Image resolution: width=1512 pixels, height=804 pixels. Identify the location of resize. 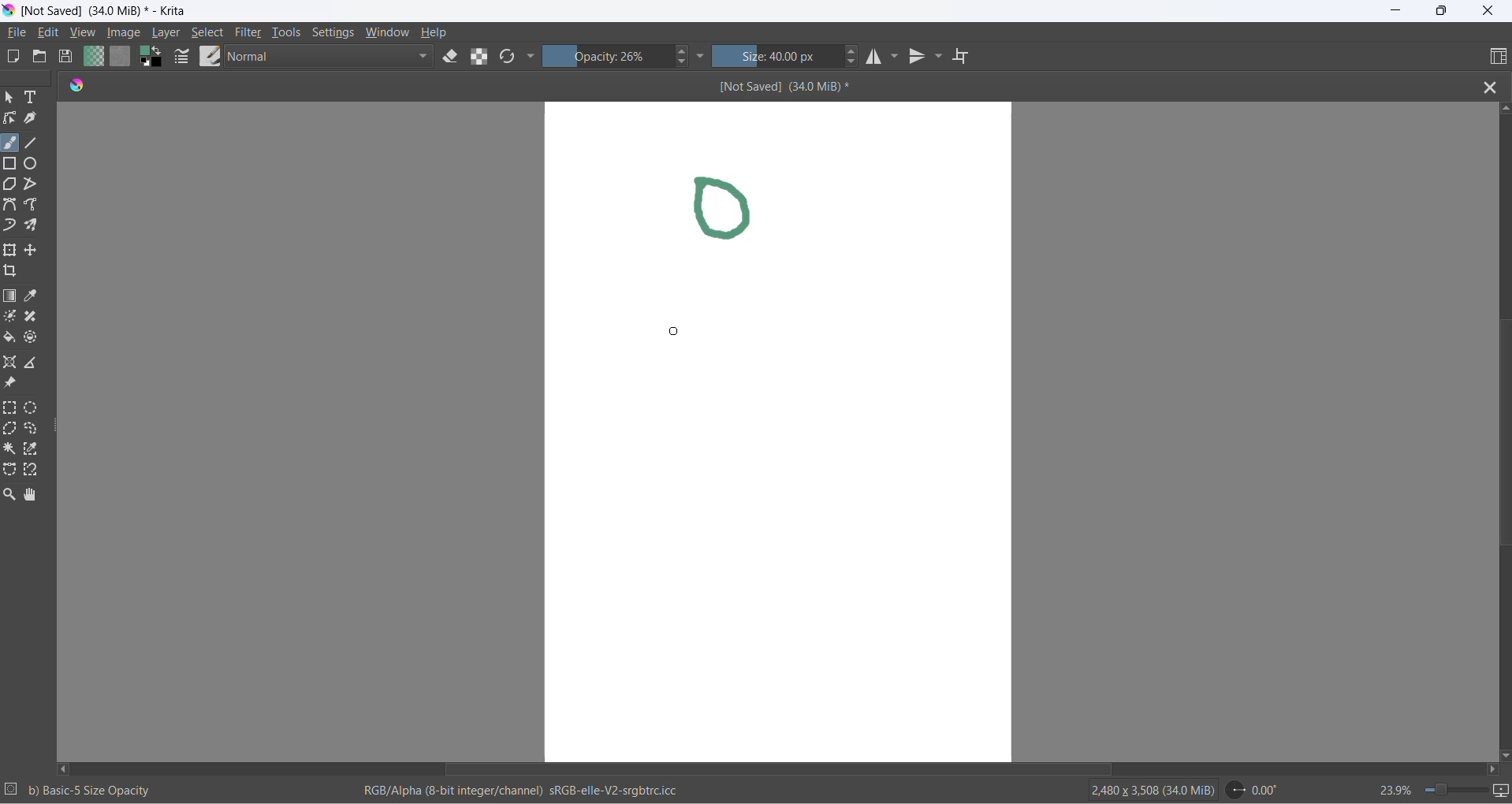
(58, 424).